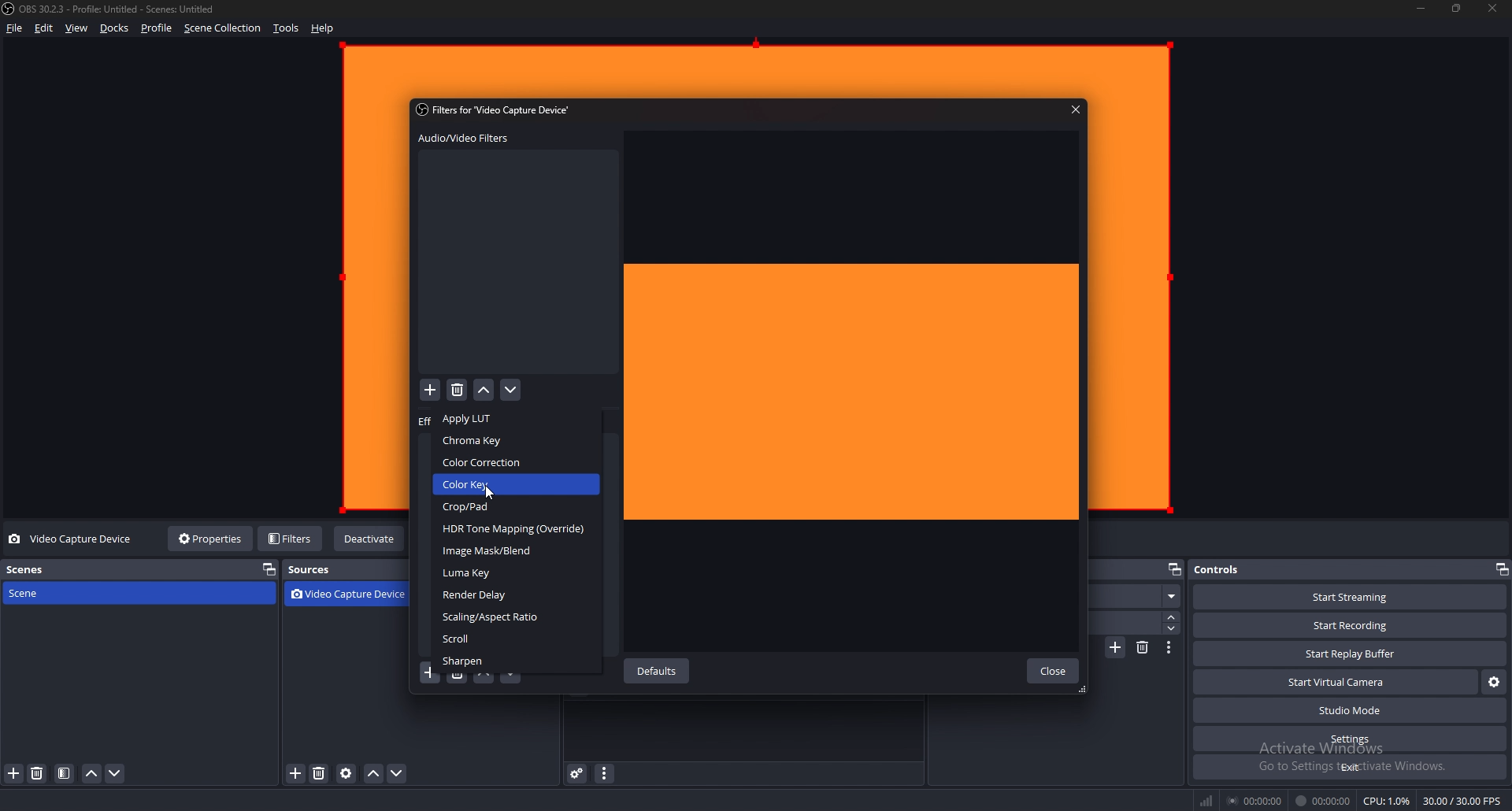 Image resolution: width=1512 pixels, height=811 pixels. I want to click on color key, so click(517, 483).